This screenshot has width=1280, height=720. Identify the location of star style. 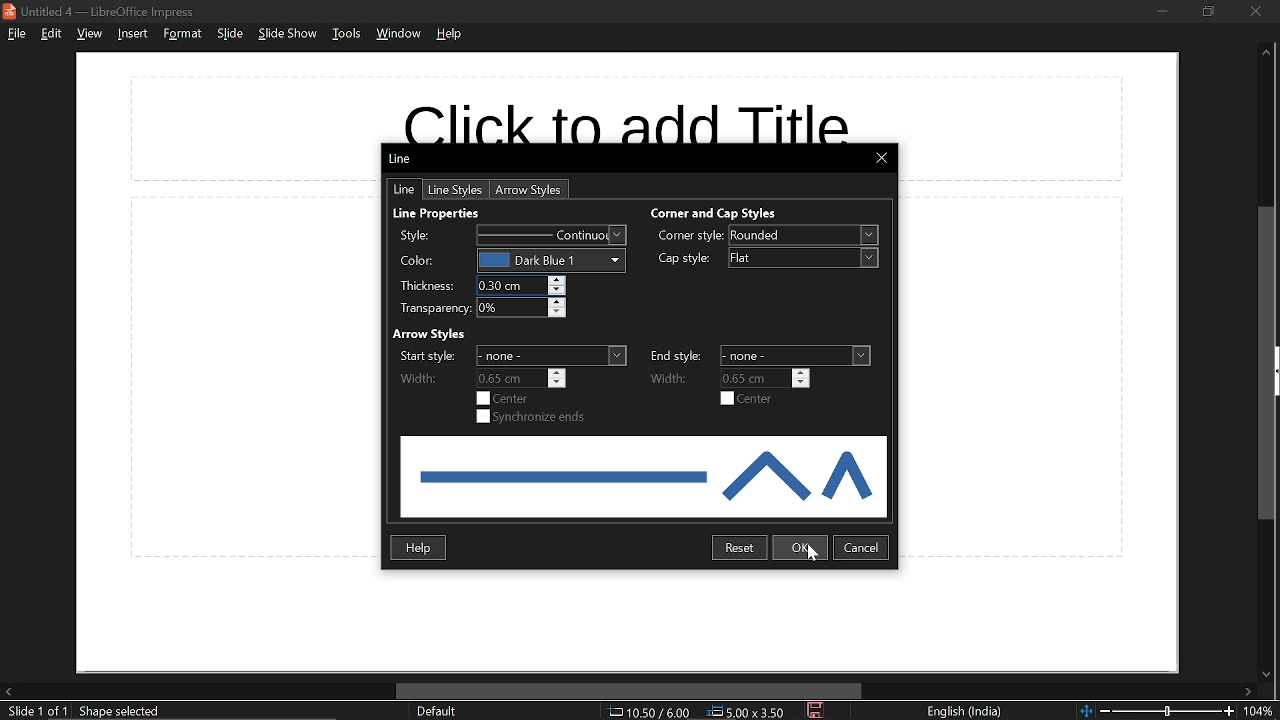
(554, 356).